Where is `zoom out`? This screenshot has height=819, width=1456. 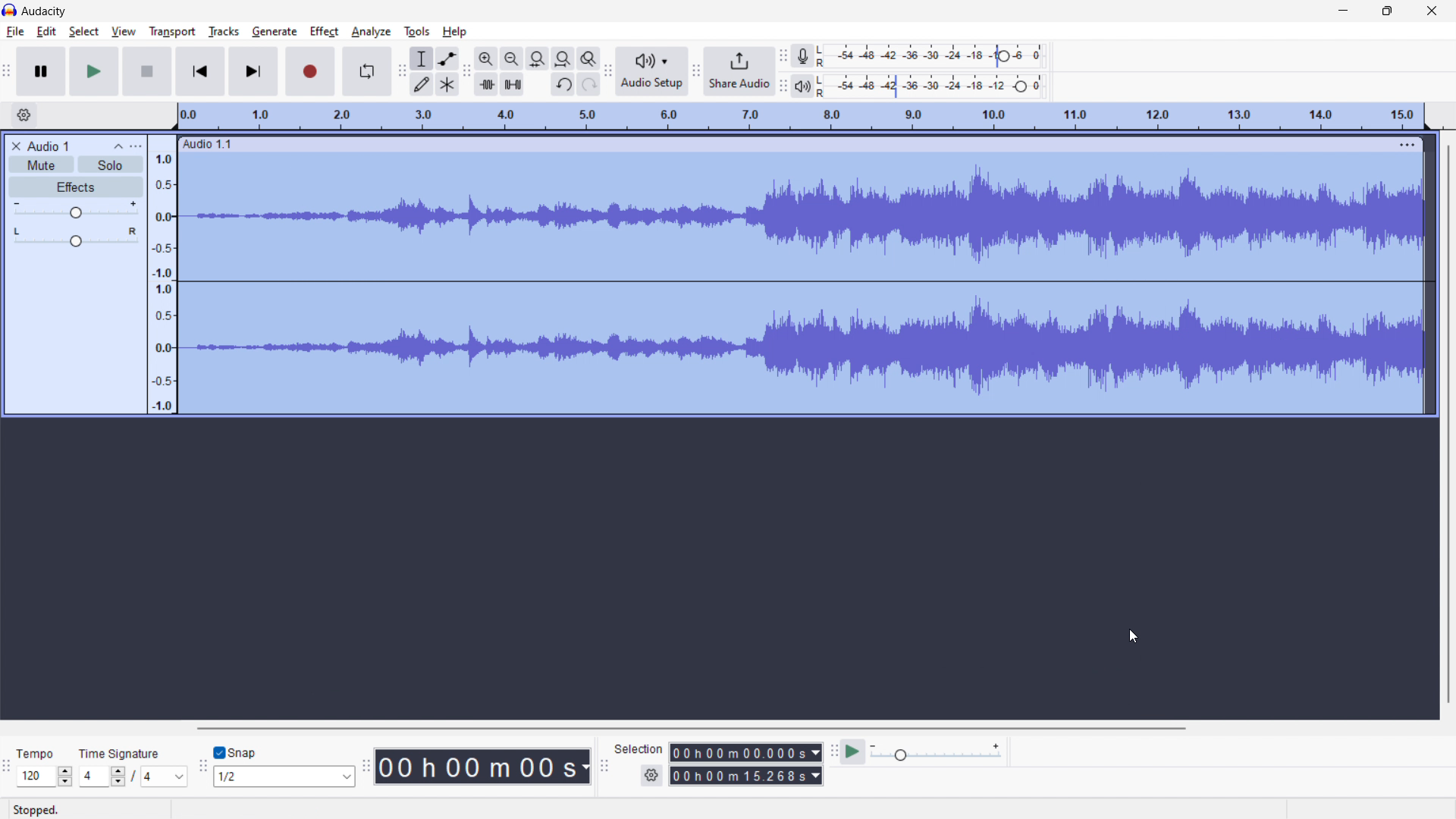
zoom out is located at coordinates (511, 58).